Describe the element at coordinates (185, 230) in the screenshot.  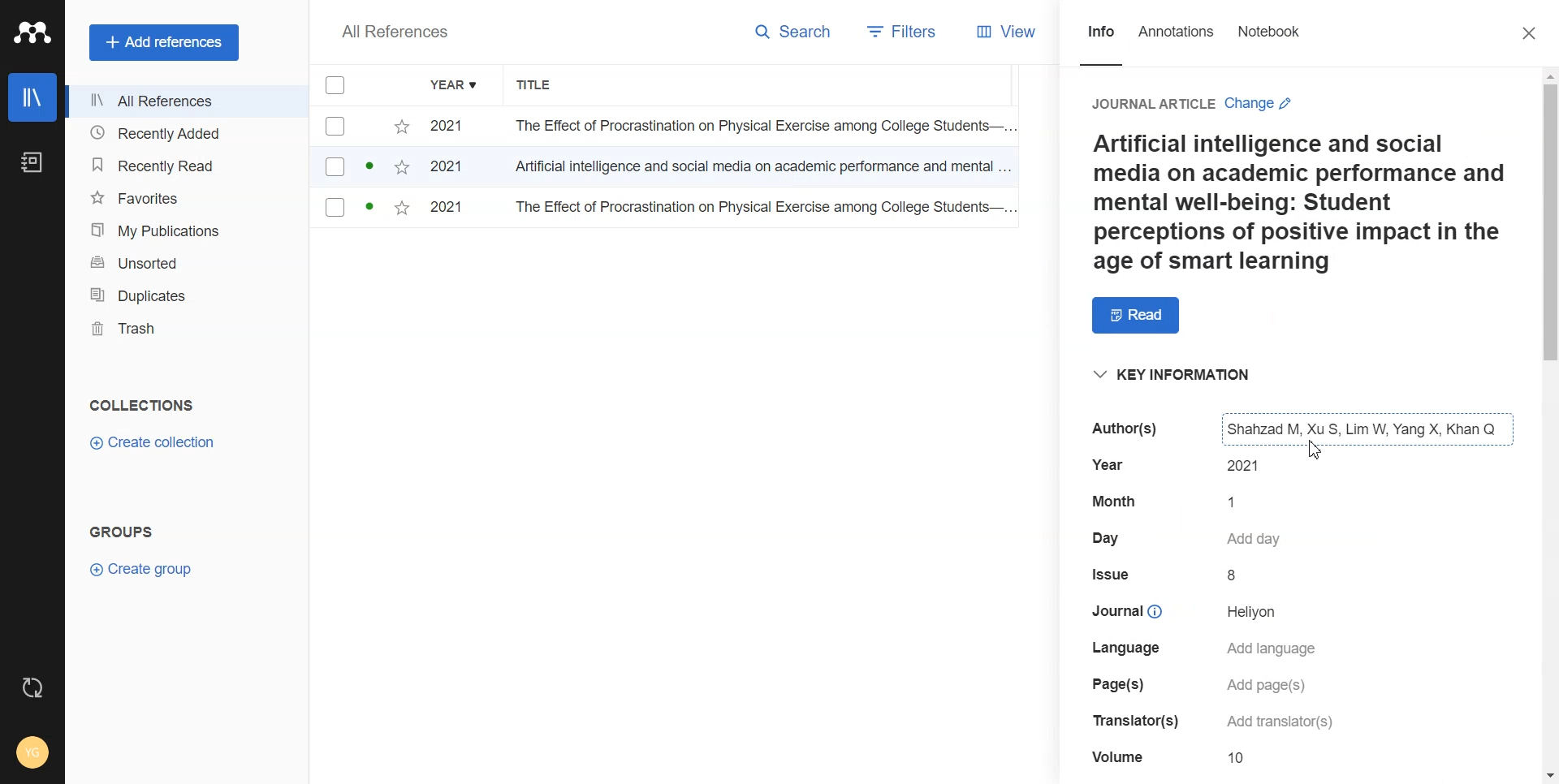
I see `My Publication` at that location.